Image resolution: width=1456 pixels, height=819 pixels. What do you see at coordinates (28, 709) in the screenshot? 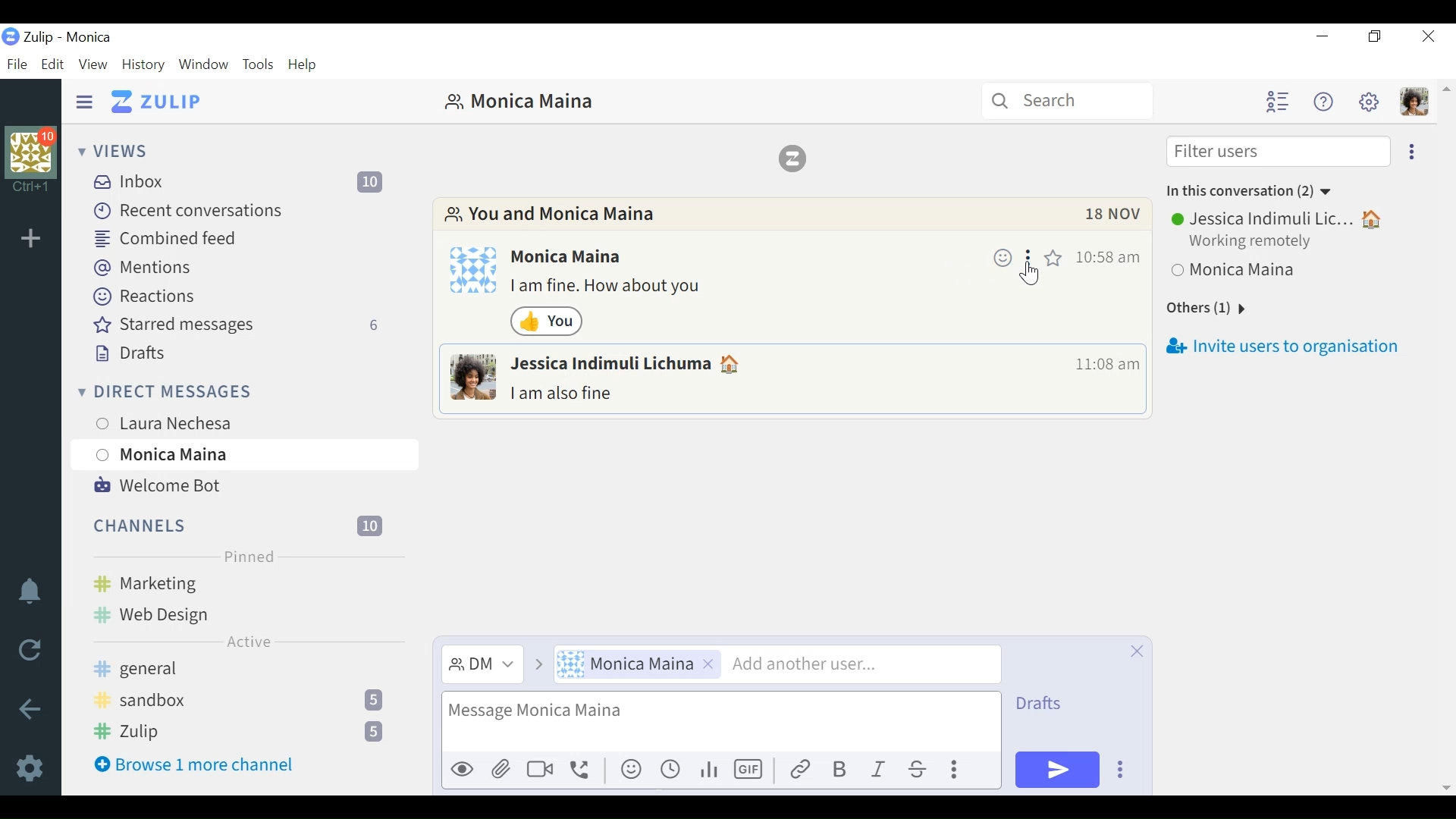
I see `Go back` at bounding box center [28, 709].